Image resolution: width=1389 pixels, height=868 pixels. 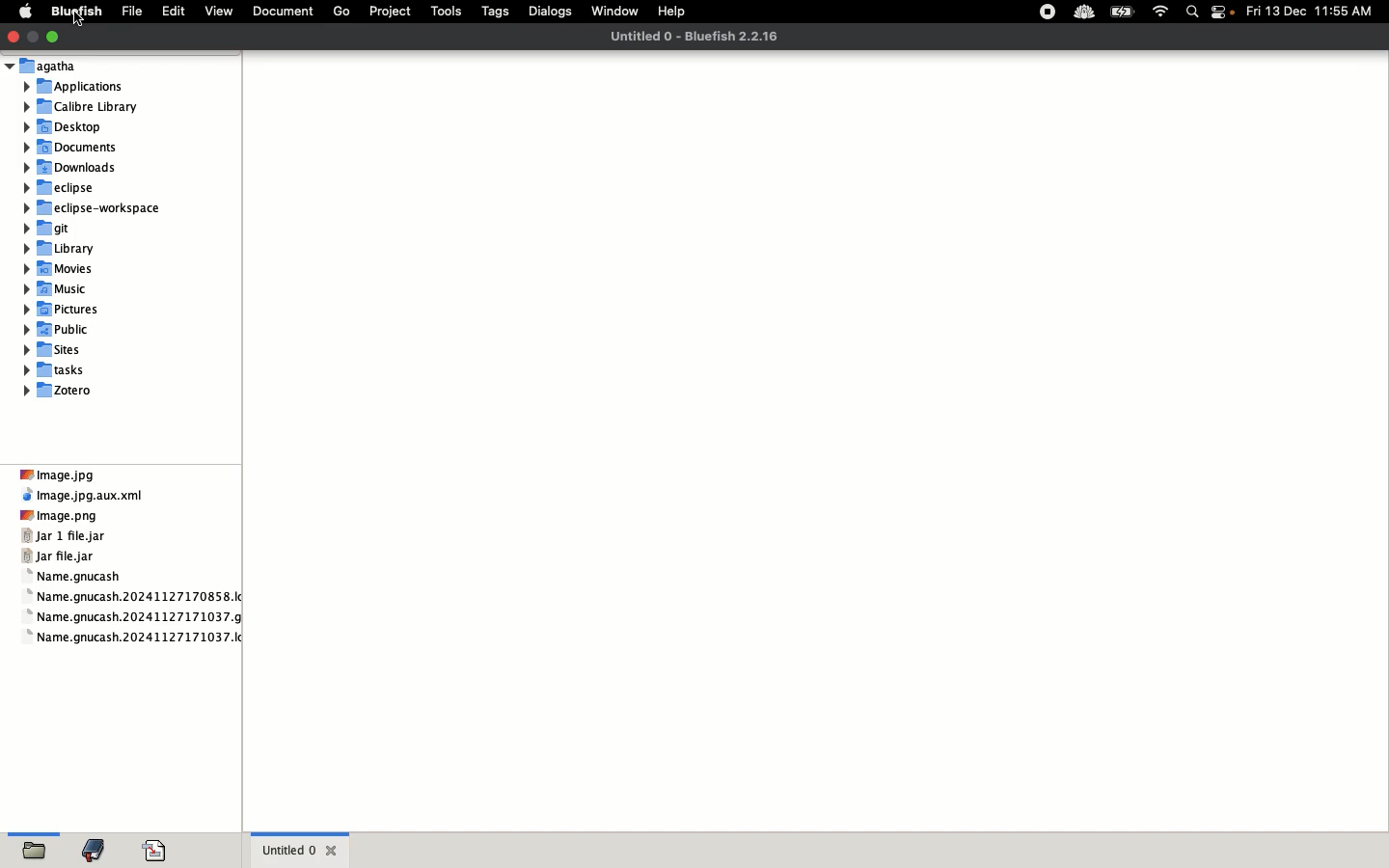 I want to click on folders, so click(x=39, y=845).